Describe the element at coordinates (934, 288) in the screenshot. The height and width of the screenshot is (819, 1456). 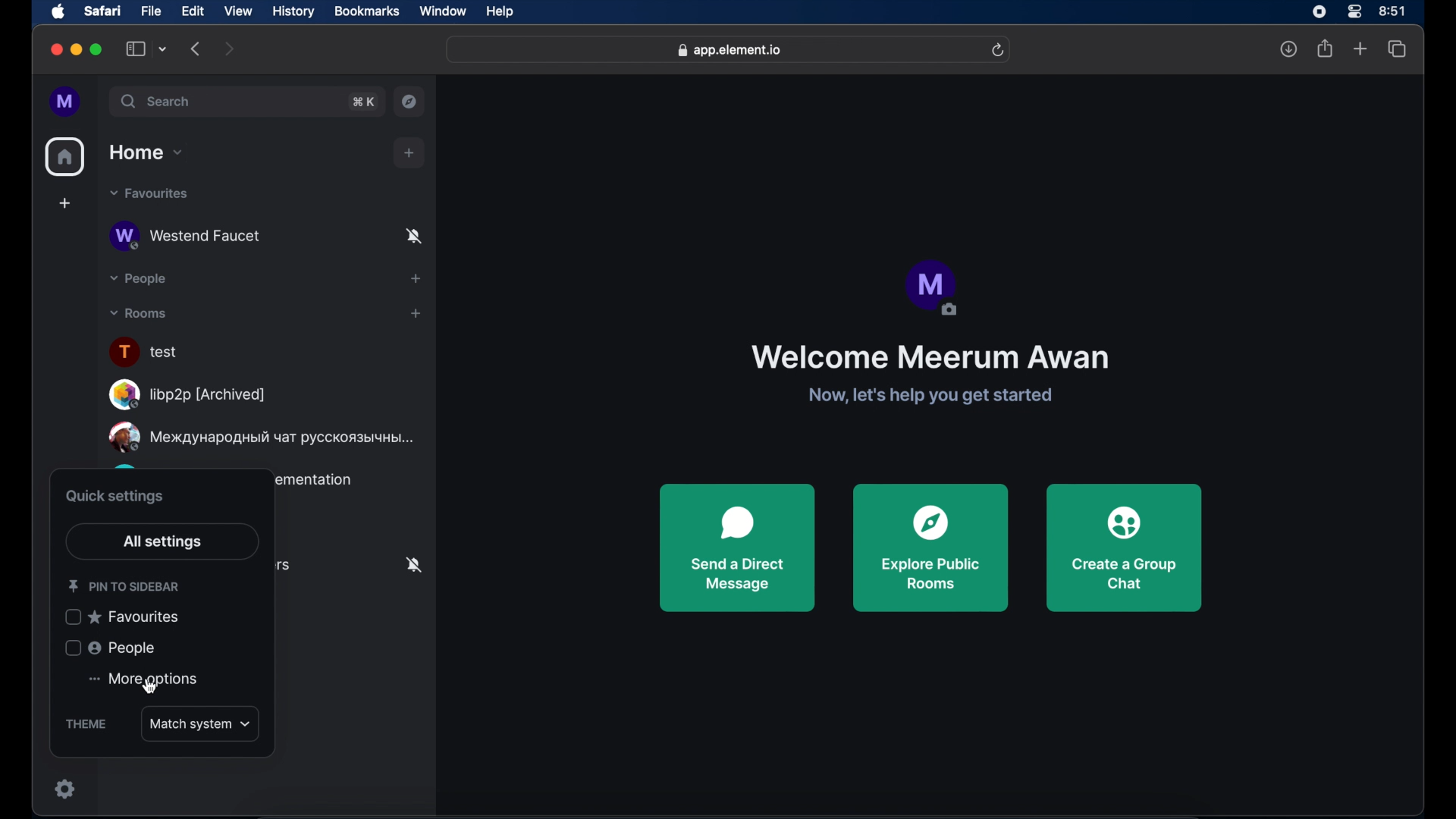
I see `profile picture` at that location.